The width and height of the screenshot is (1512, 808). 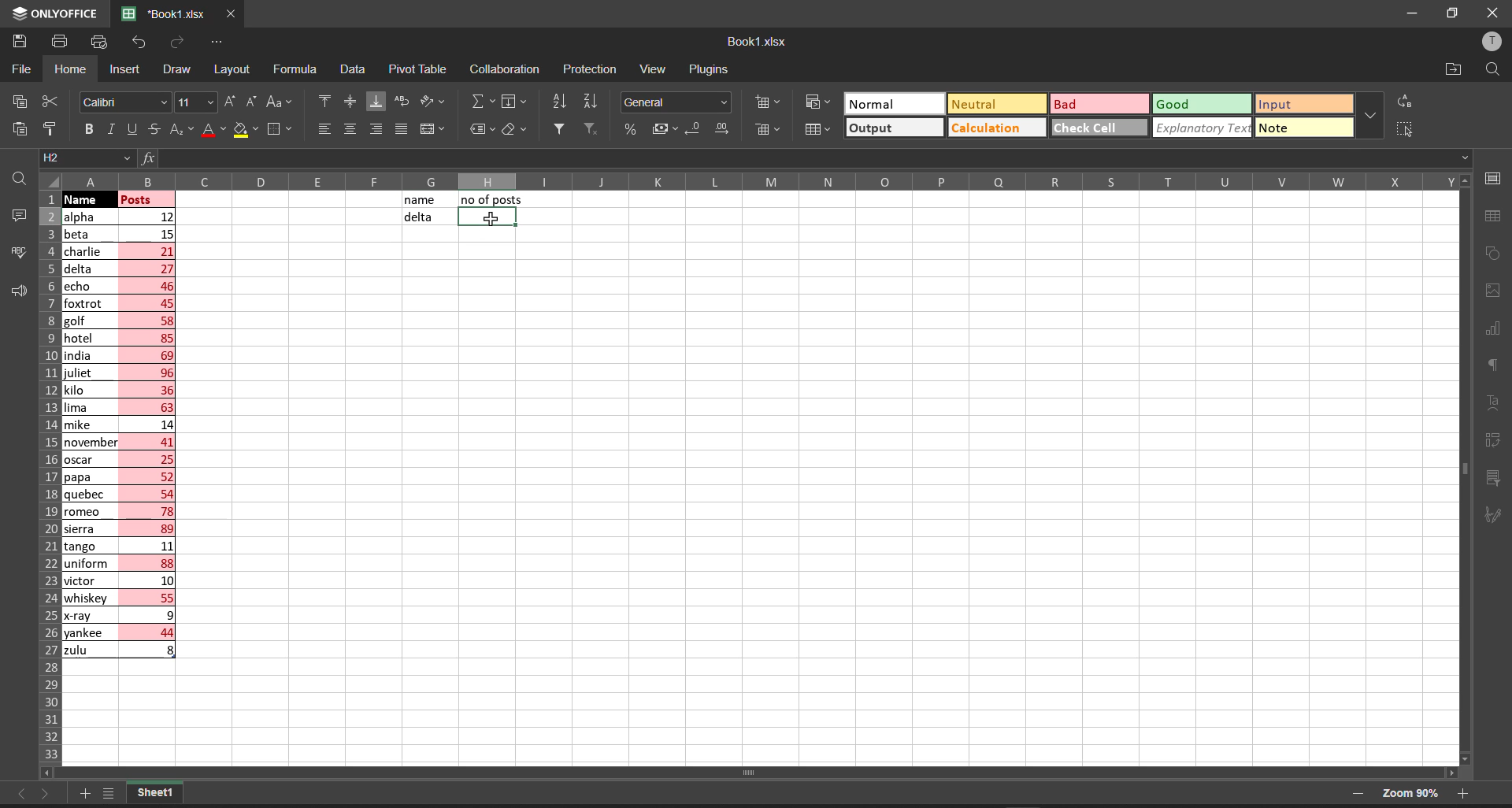 What do you see at coordinates (56, 17) in the screenshot?
I see `onlyoffice` at bounding box center [56, 17].